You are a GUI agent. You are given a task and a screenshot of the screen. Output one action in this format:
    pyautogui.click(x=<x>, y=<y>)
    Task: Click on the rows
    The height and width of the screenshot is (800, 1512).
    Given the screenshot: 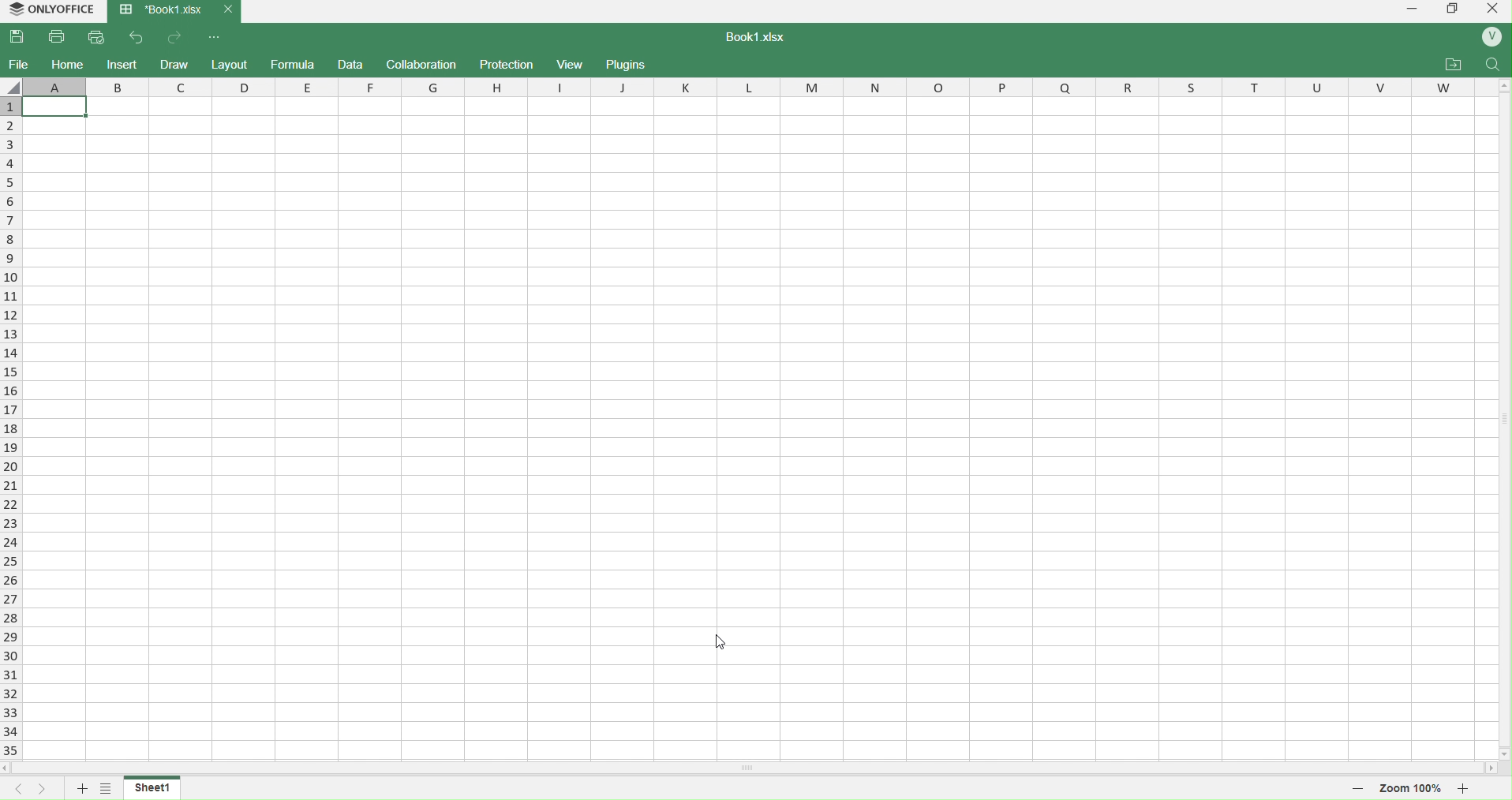 What is the action you would take?
    pyautogui.click(x=9, y=428)
    